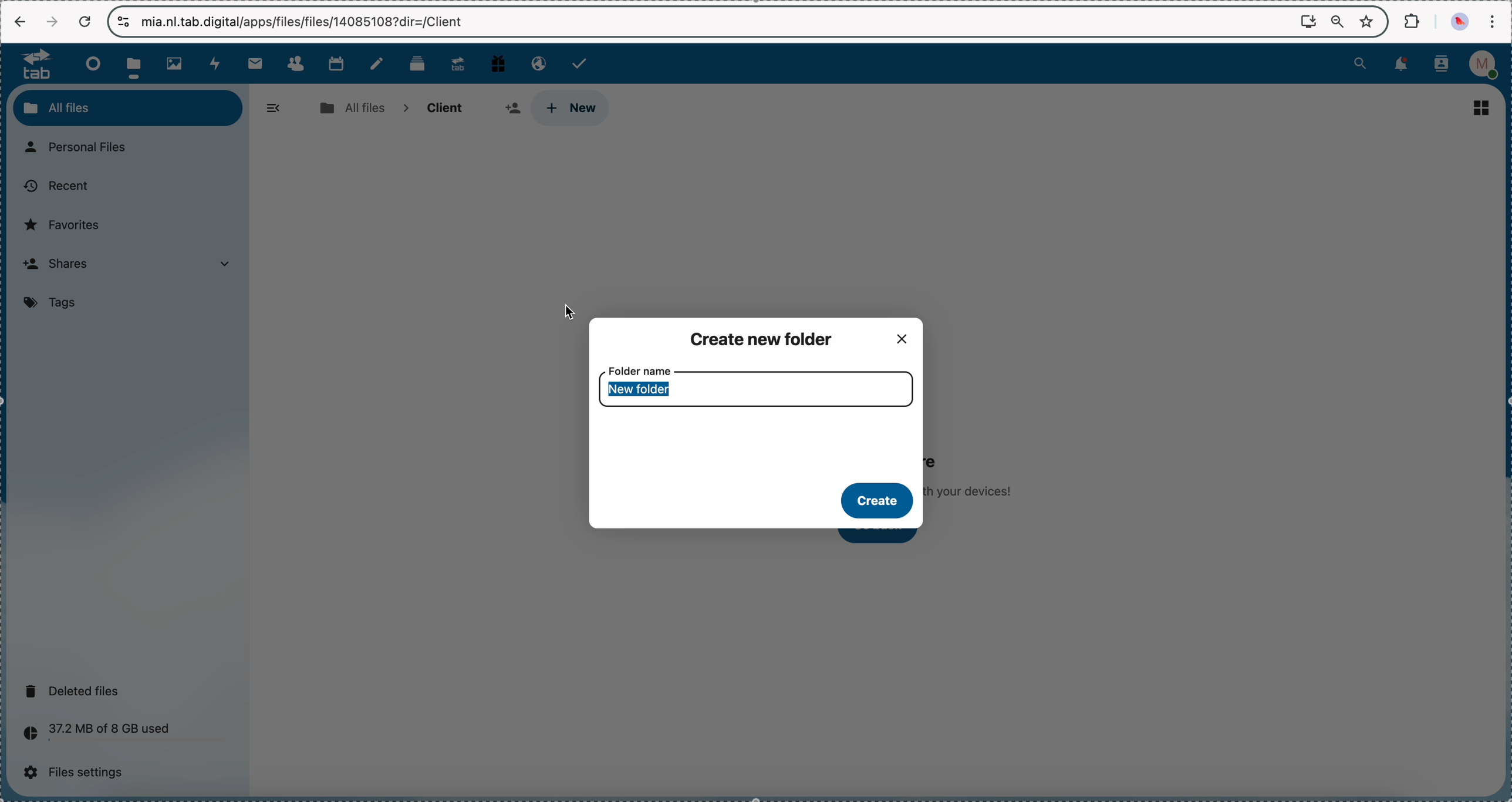 Image resolution: width=1512 pixels, height=802 pixels. Describe the element at coordinates (1360, 62) in the screenshot. I see `search` at that location.